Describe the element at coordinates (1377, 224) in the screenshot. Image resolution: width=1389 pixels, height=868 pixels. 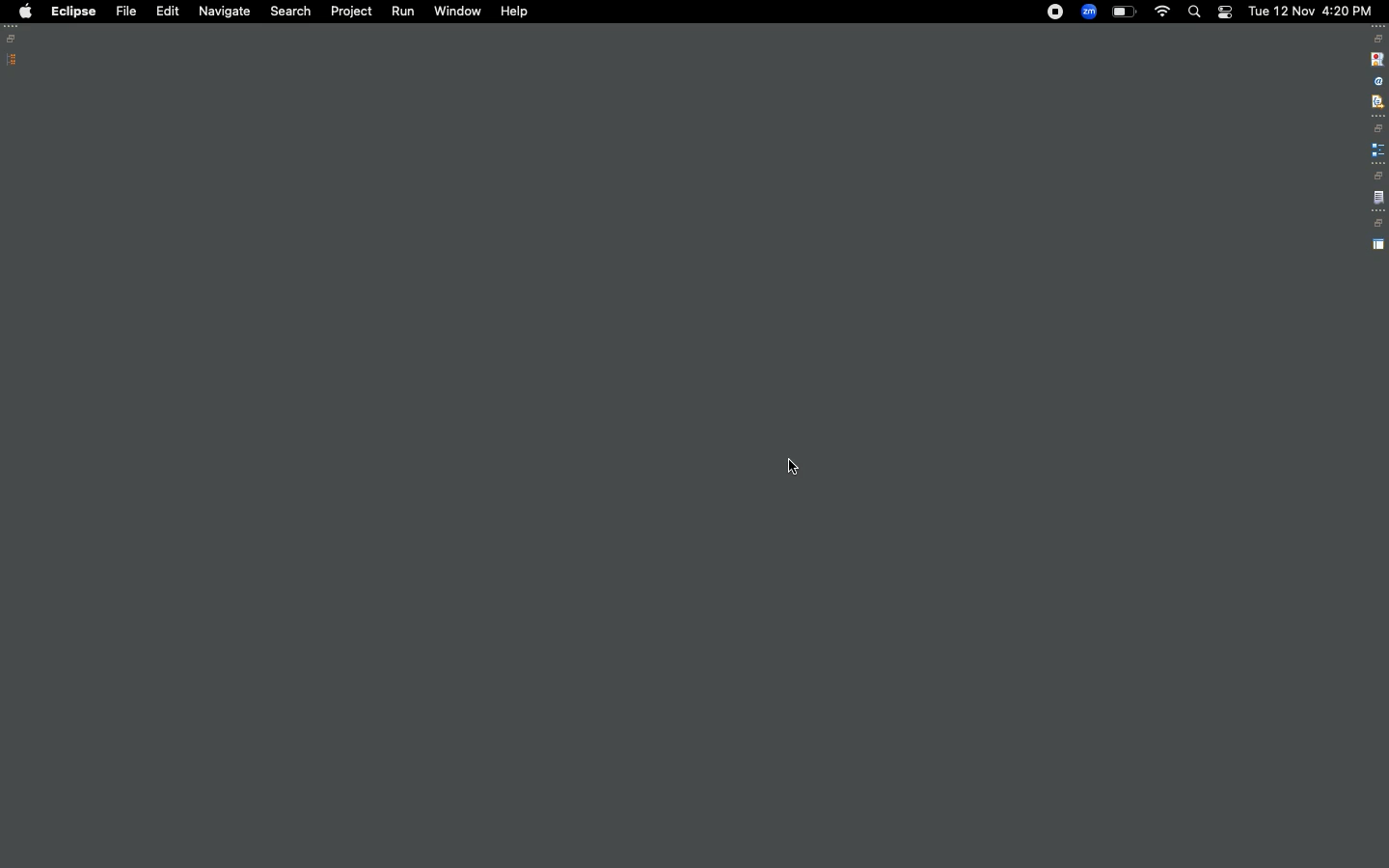
I see `restore` at that location.